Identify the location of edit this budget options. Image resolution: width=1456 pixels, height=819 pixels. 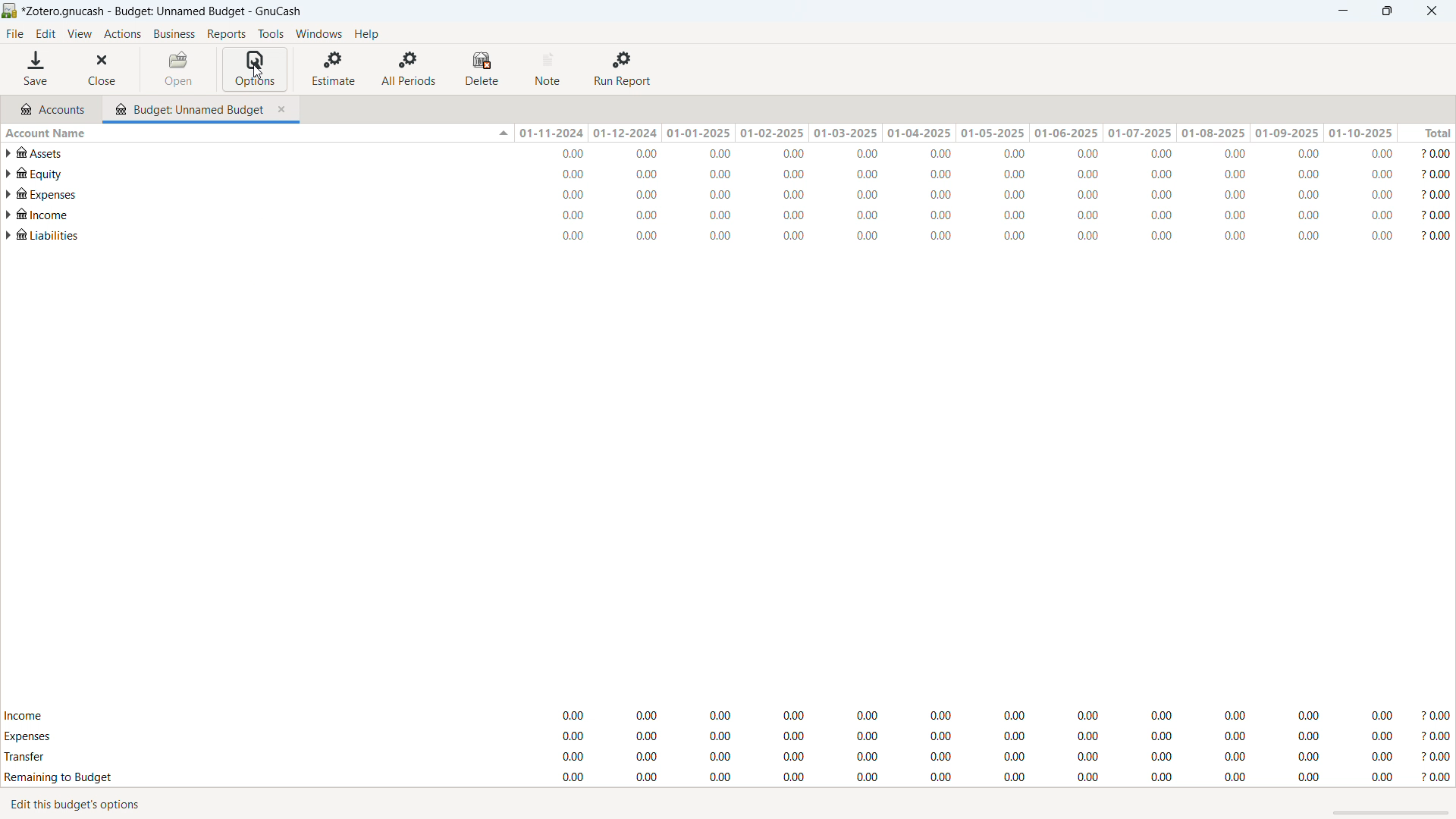
(85, 806).